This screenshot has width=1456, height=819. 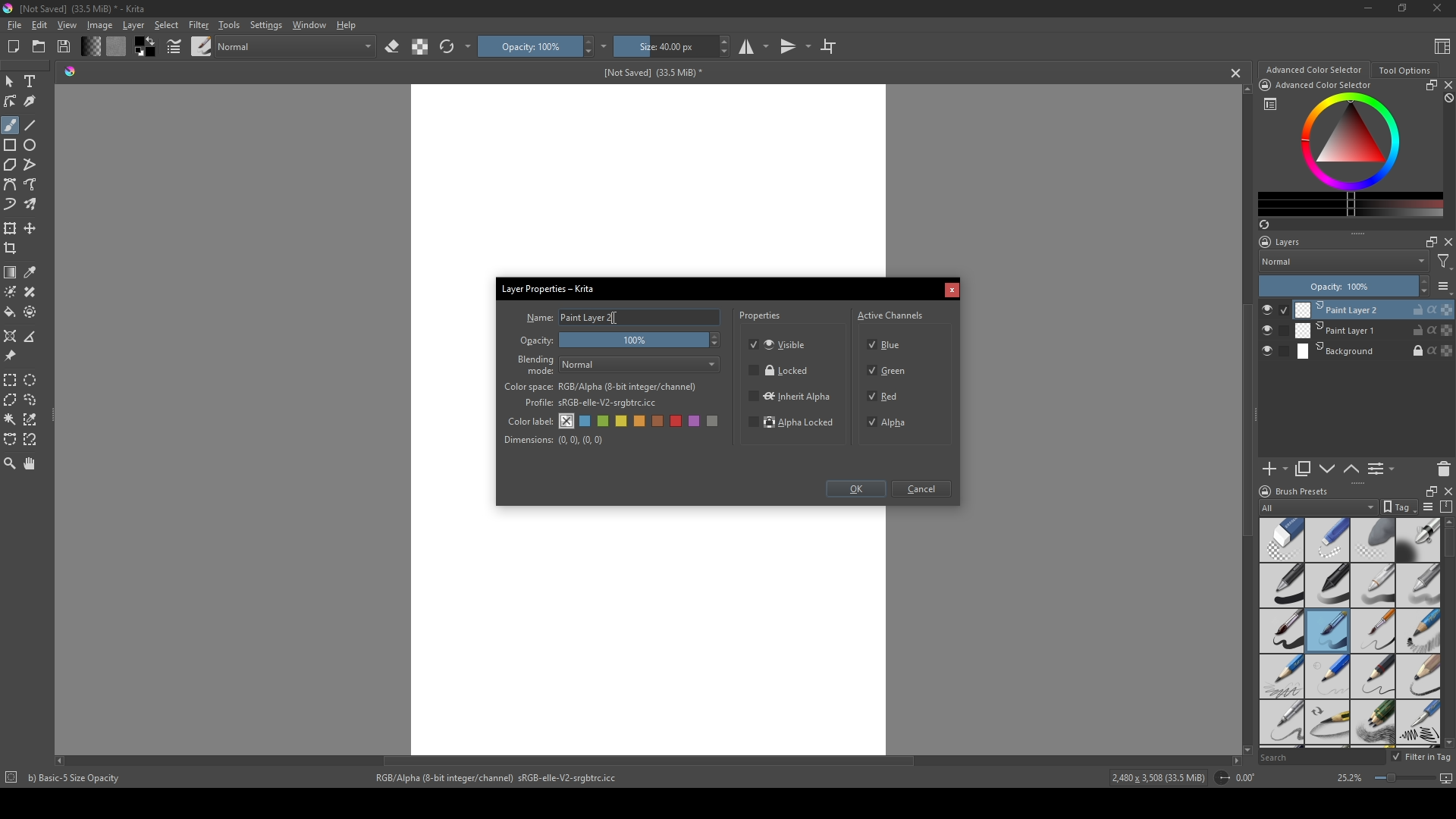 I want to click on Active channels, so click(x=891, y=313).